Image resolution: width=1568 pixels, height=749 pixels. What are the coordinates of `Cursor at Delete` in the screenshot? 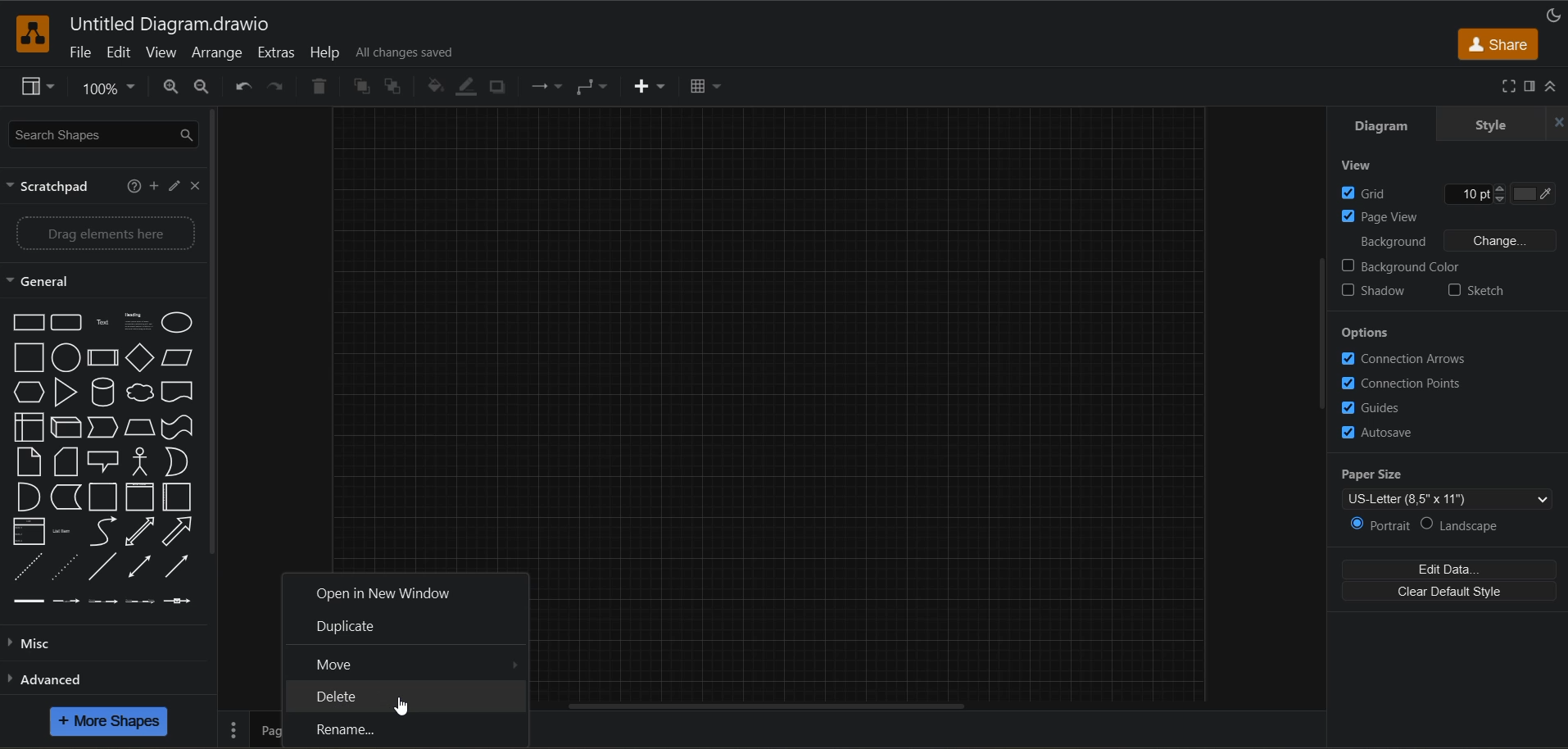 It's located at (406, 706).